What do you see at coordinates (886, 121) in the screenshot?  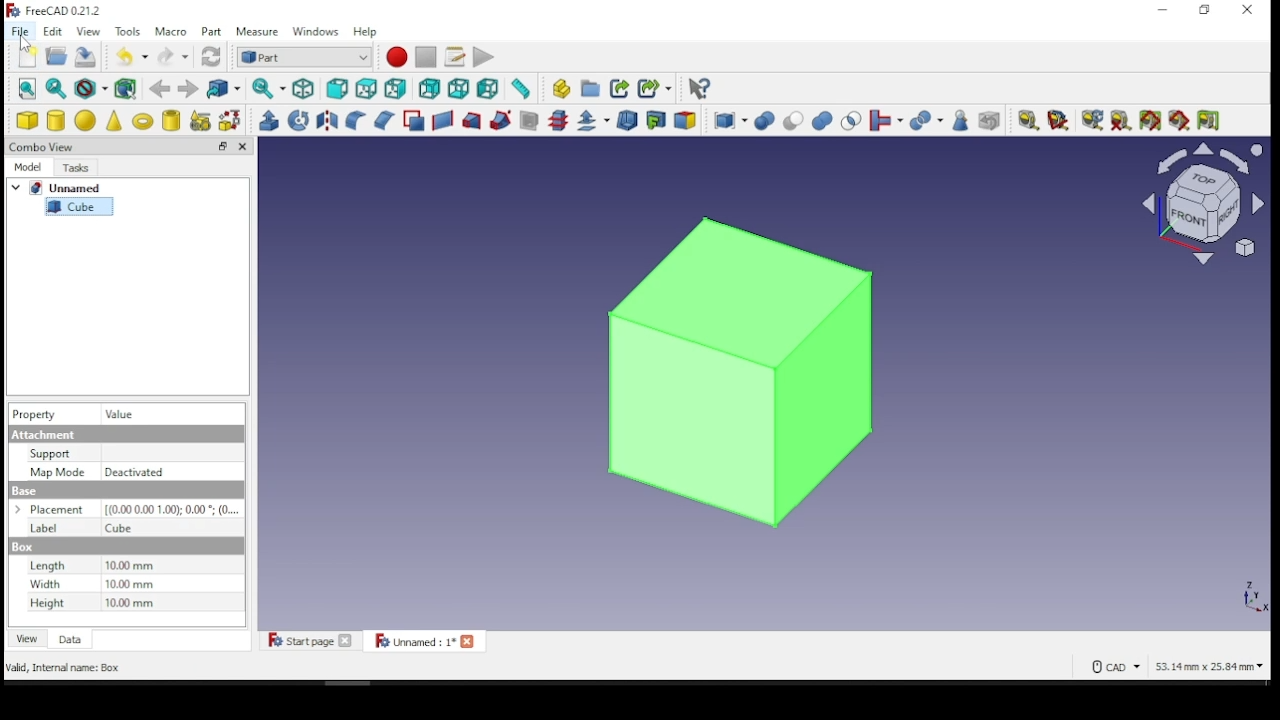 I see `join objects` at bounding box center [886, 121].